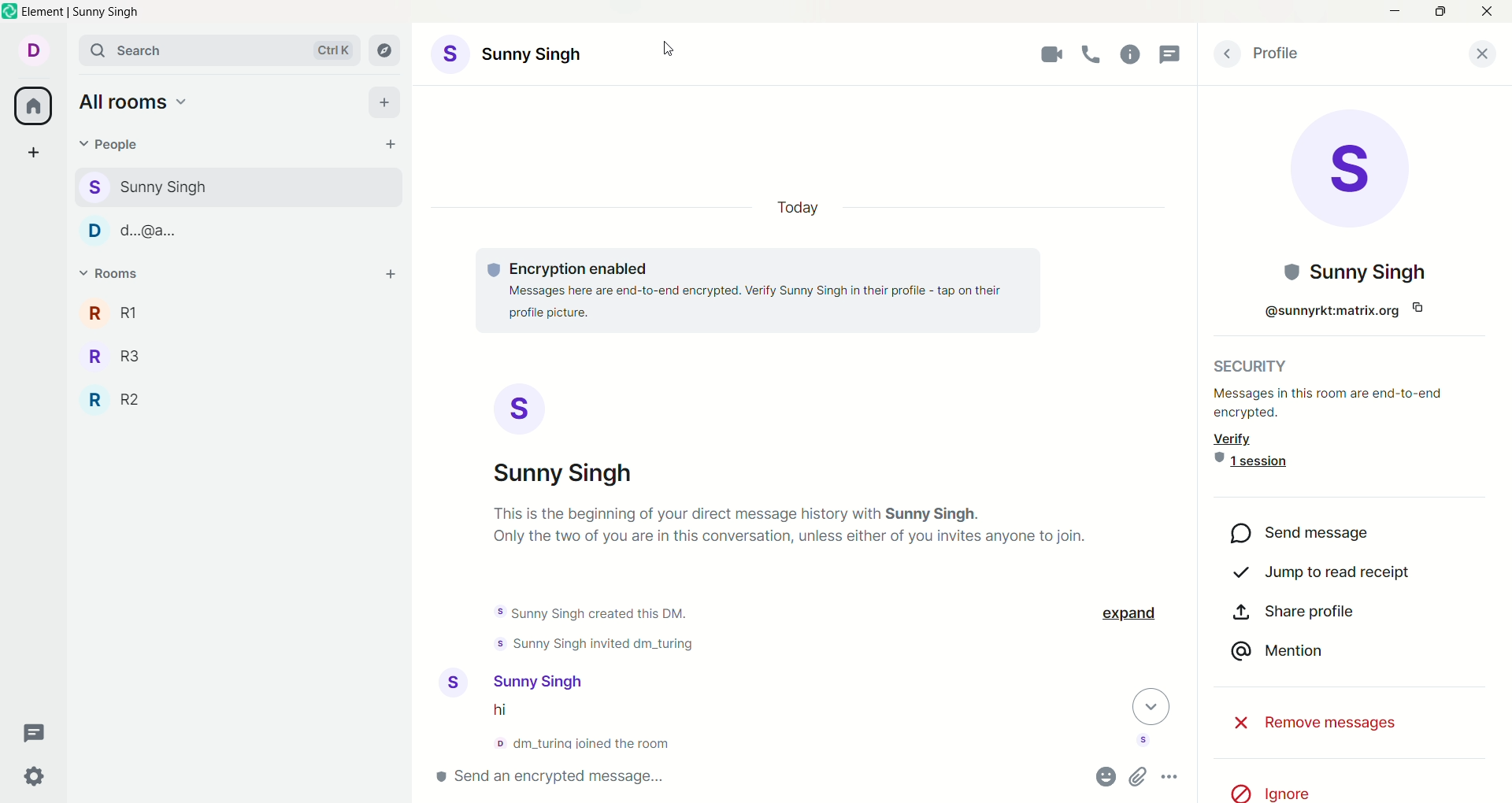 The image size is (1512, 803). Describe the element at coordinates (1347, 430) in the screenshot. I see `text` at that location.